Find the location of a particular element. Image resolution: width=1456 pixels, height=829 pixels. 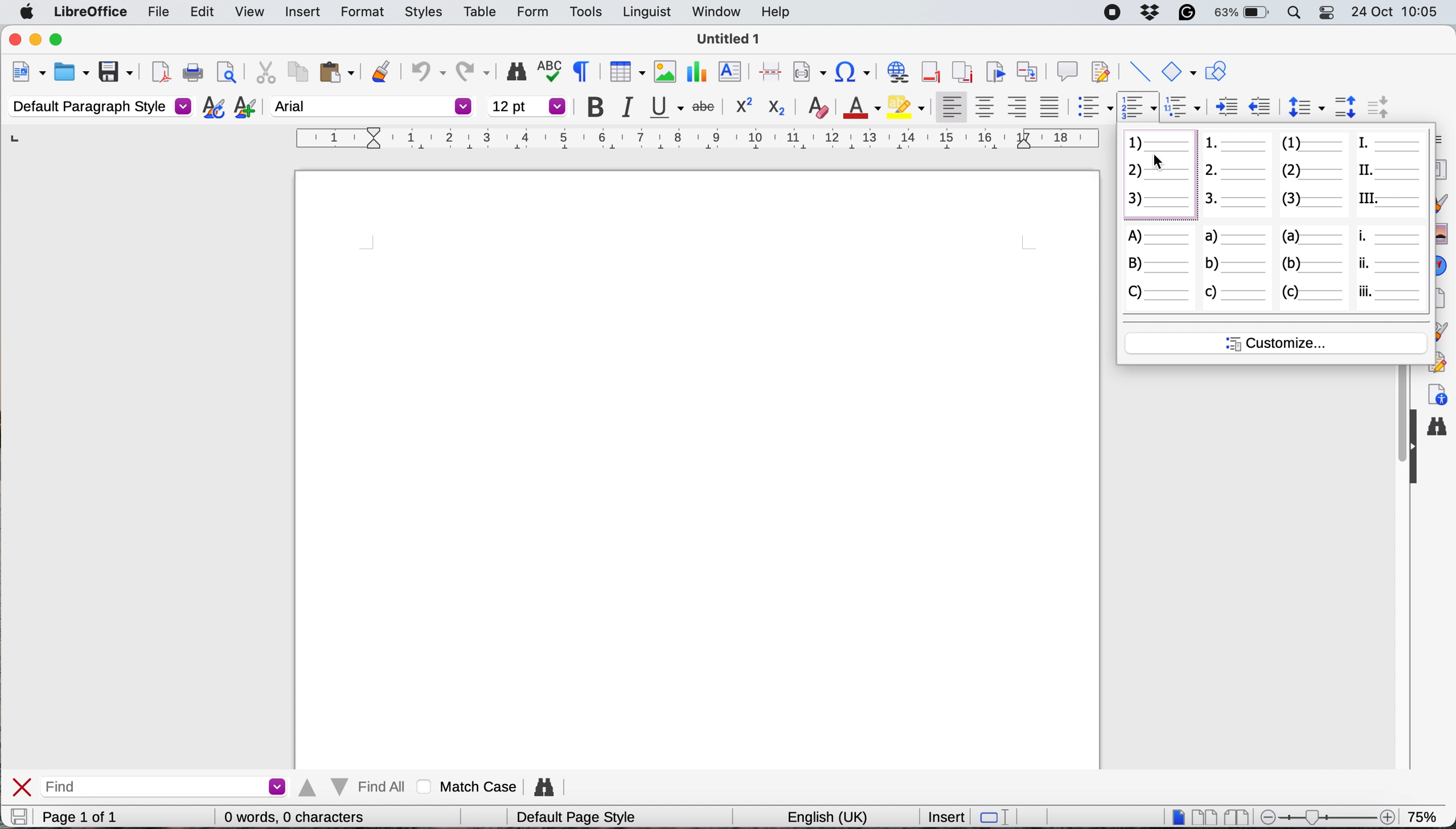

page 1 of 1 is located at coordinates (98, 817).